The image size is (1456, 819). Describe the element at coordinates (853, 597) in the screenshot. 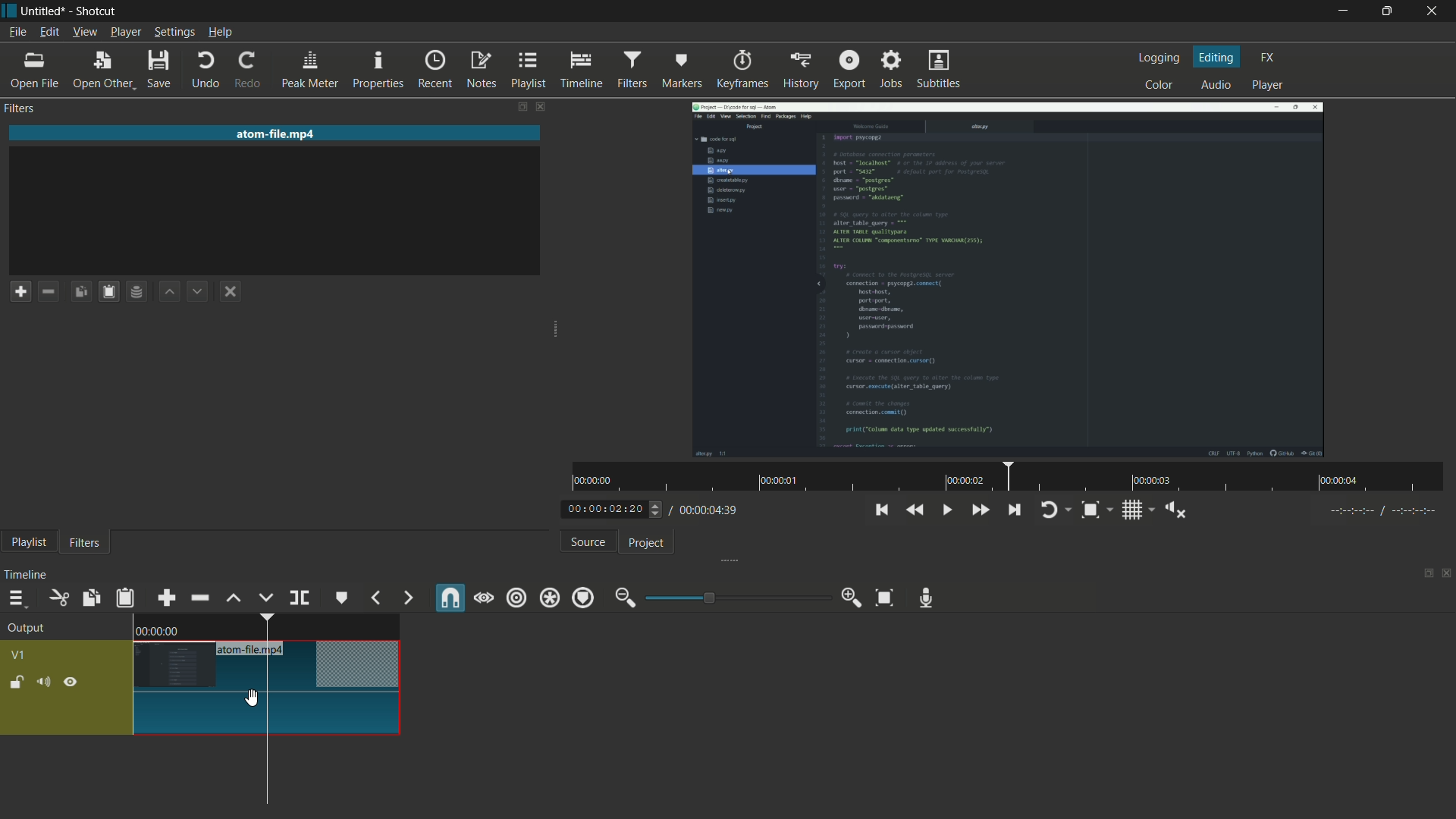

I see `zoom in` at that location.